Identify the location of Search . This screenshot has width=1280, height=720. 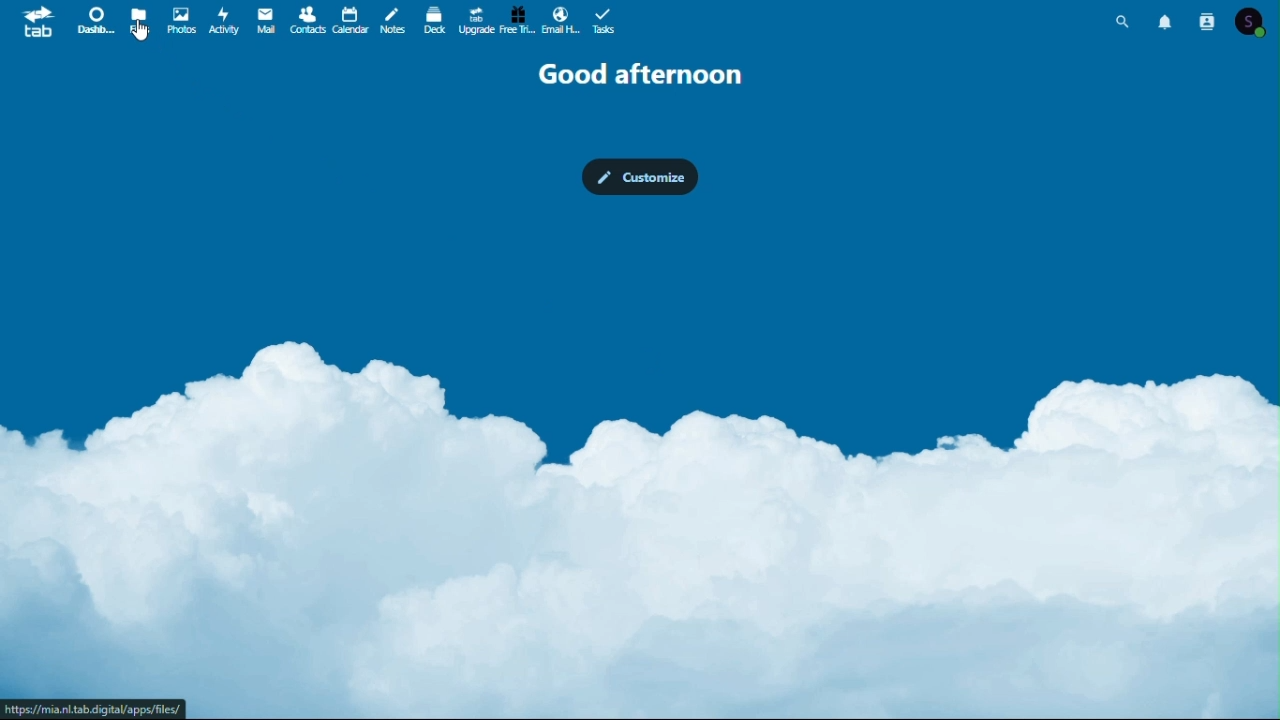
(1122, 21).